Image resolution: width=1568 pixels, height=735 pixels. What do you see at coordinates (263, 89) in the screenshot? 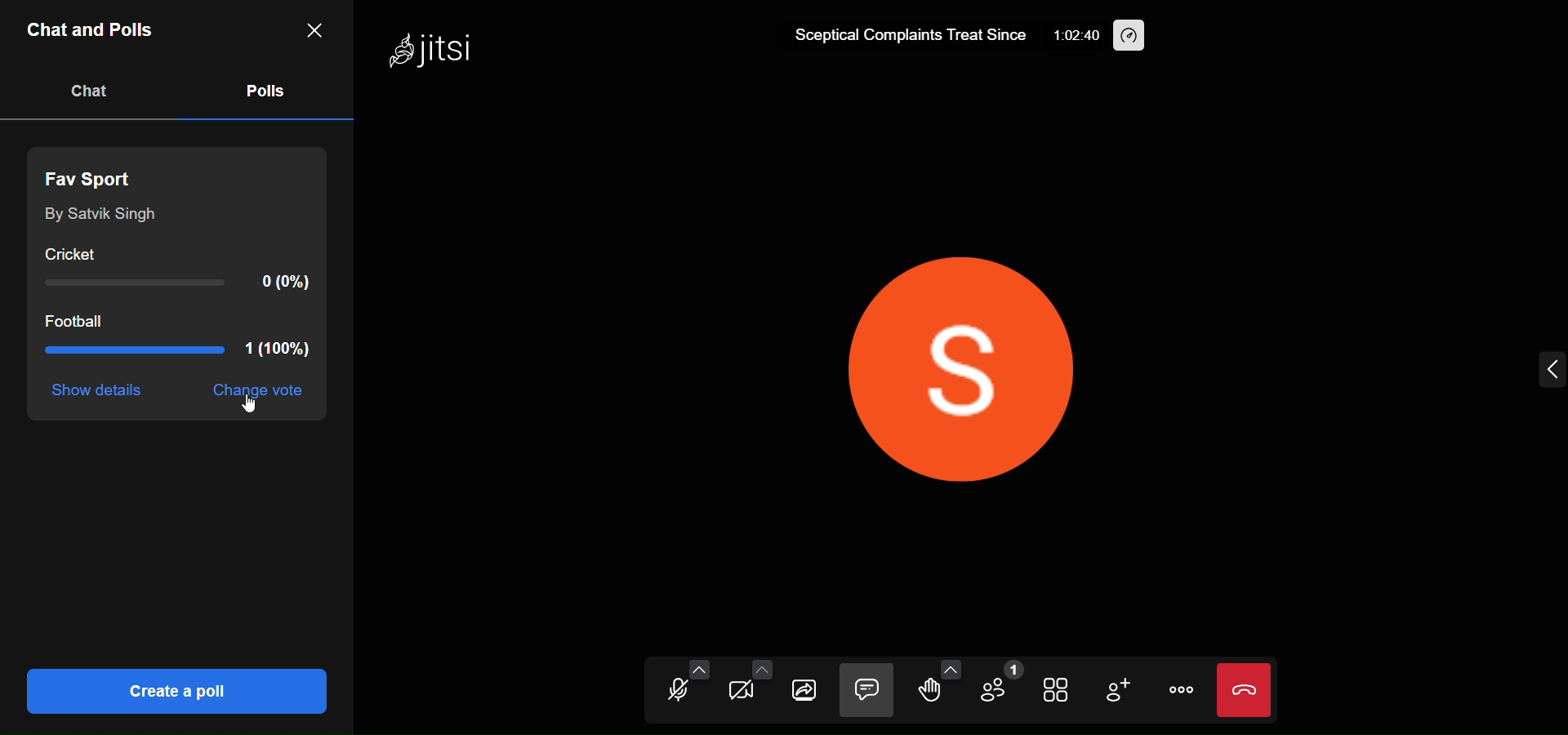
I see `polls` at bounding box center [263, 89].